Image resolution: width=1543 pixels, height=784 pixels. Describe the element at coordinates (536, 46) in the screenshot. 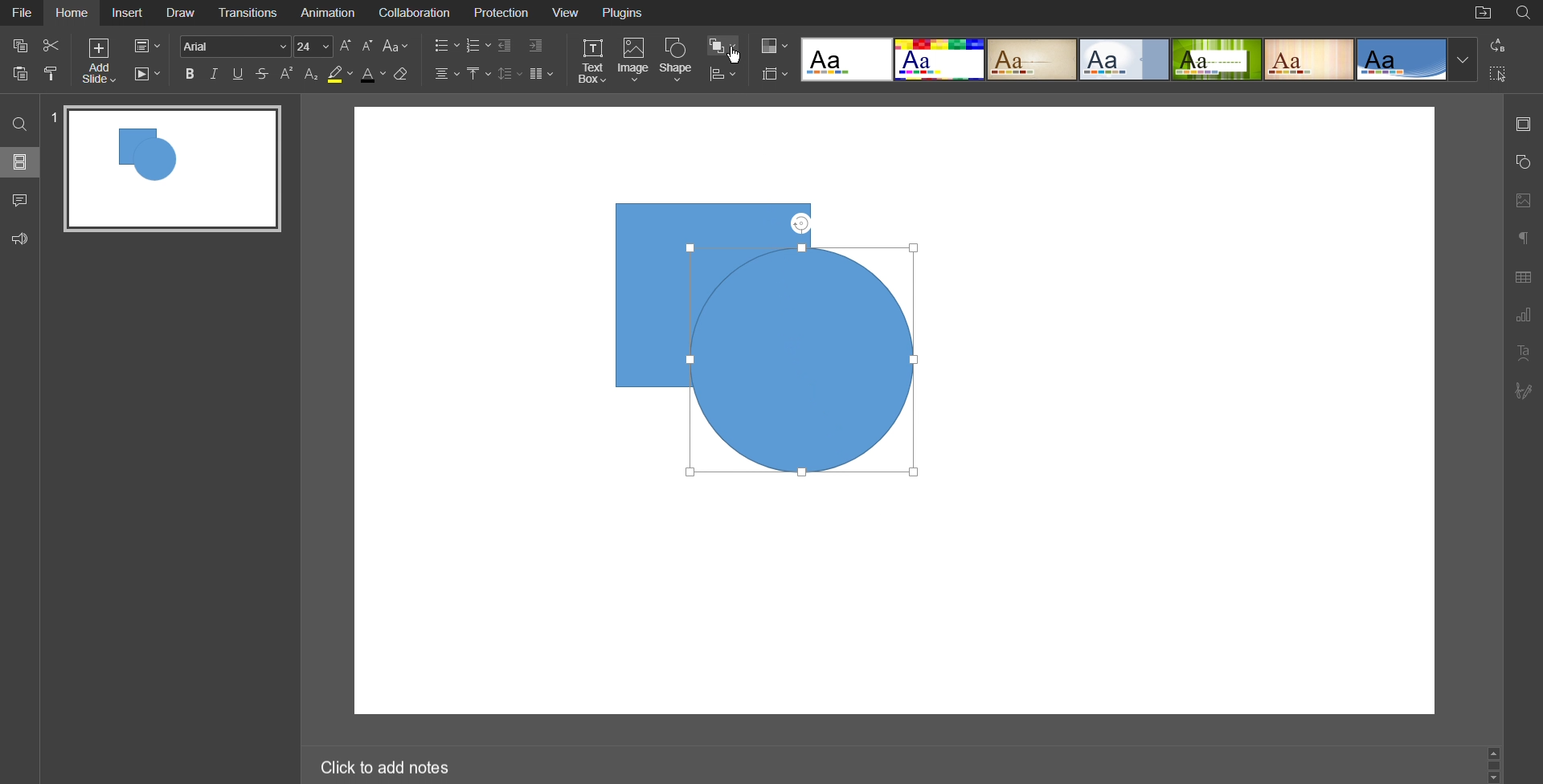

I see `Increase Indent` at that location.